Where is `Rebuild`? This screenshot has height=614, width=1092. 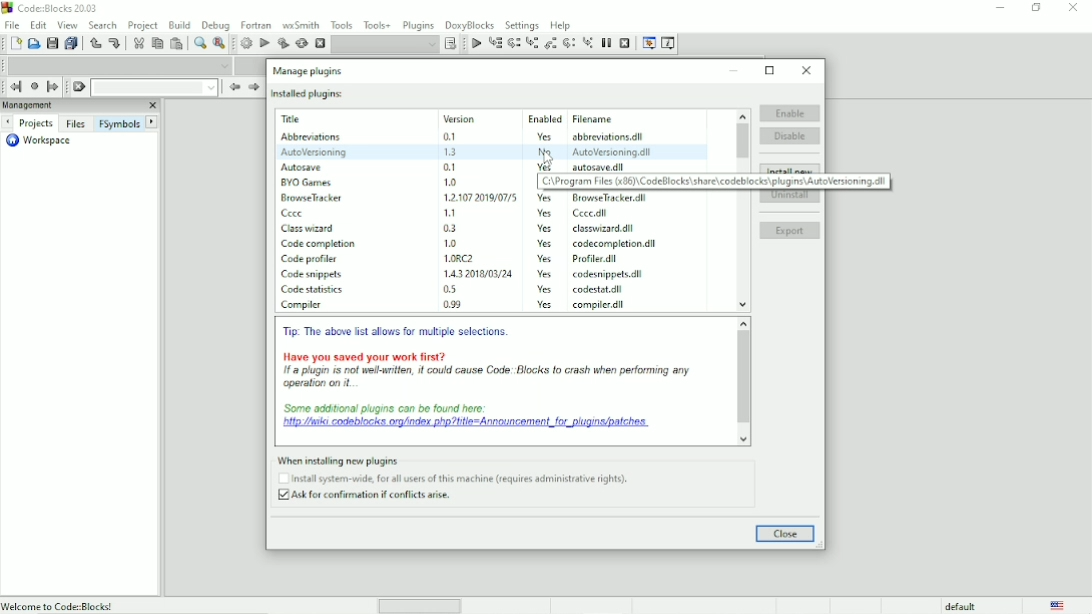 Rebuild is located at coordinates (301, 44).